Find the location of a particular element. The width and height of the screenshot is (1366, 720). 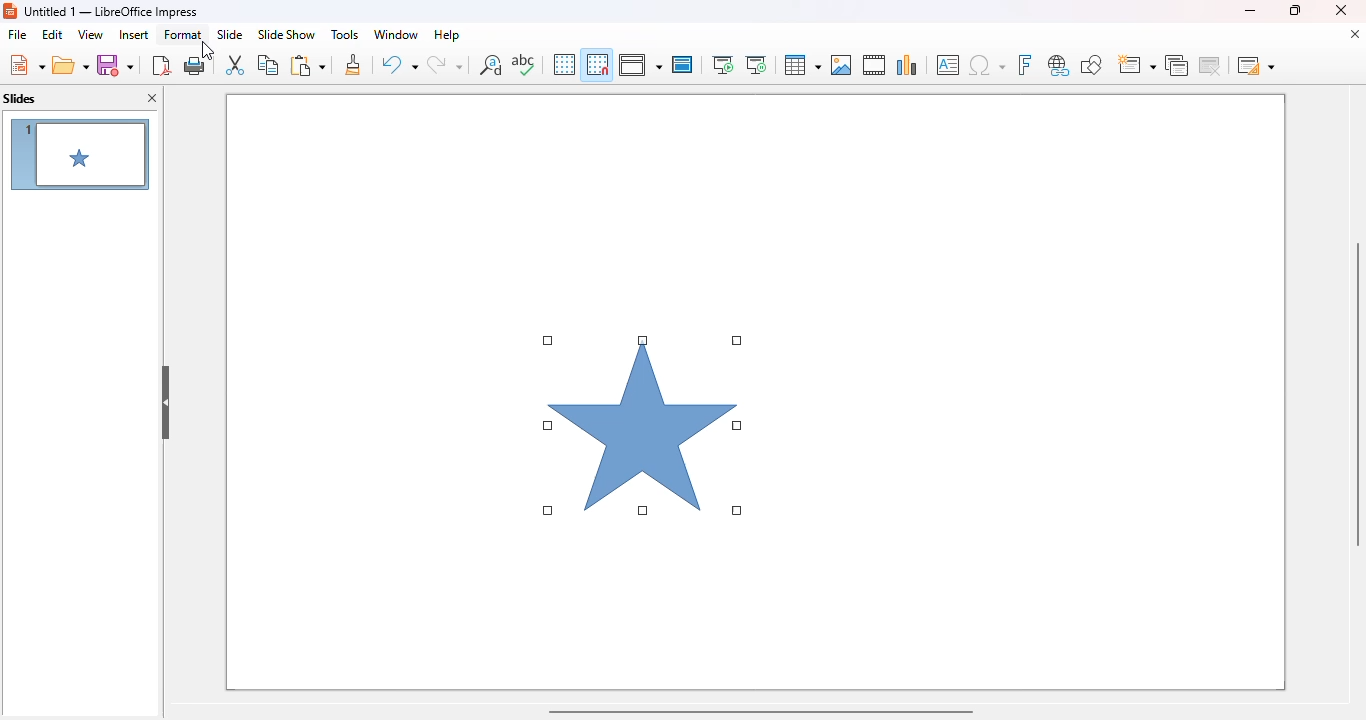

view is located at coordinates (90, 34).